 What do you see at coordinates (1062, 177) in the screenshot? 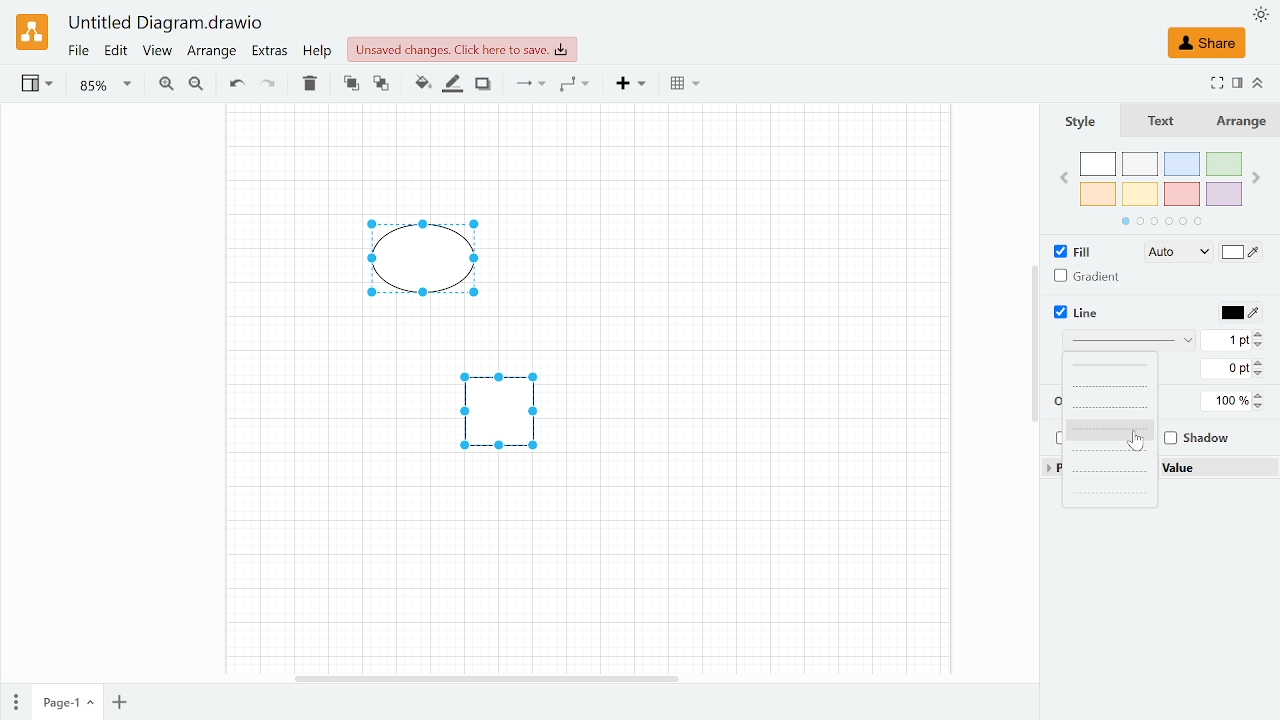
I see `Previous` at bounding box center [1062, 177].